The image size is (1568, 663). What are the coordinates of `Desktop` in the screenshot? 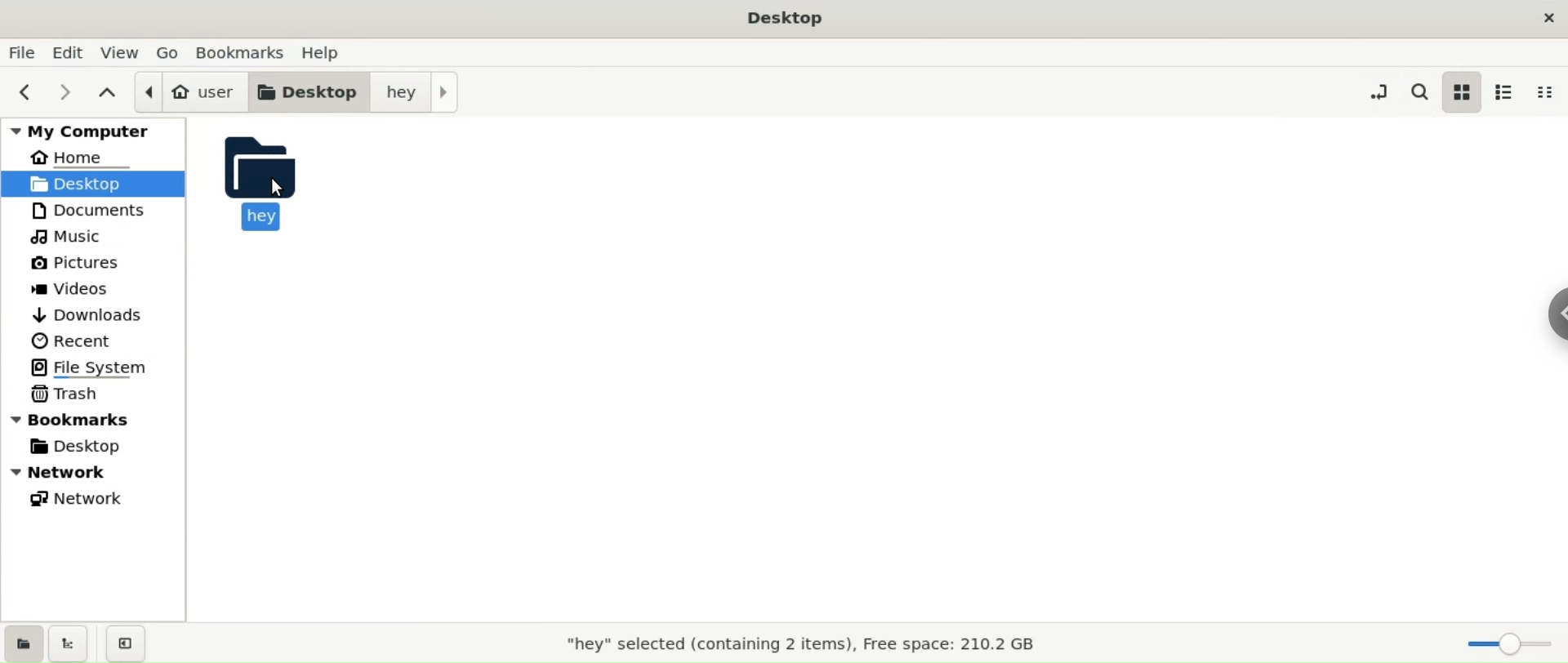 It's located at (782, 17).